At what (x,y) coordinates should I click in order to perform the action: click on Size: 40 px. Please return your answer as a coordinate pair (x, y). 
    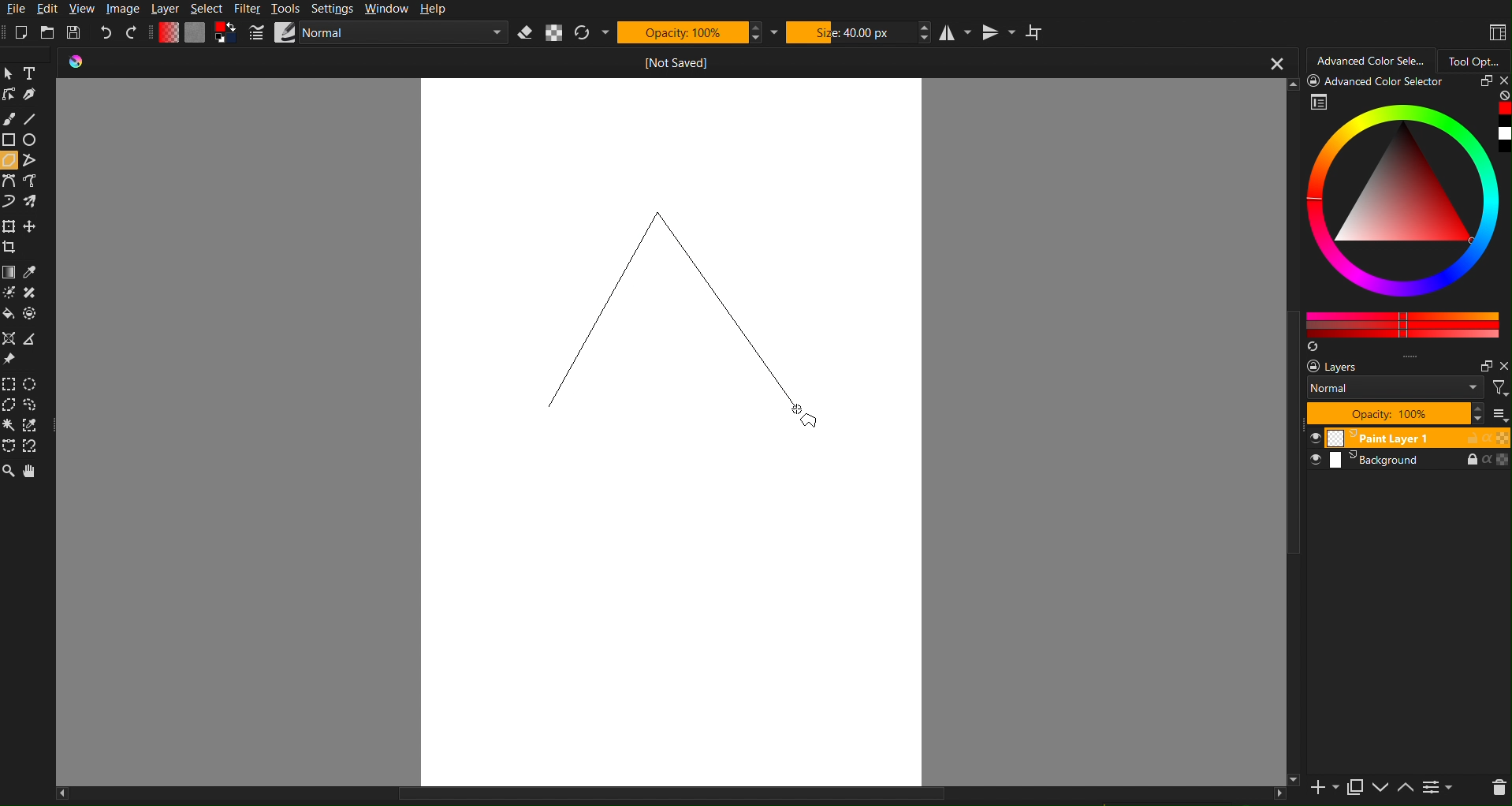
    Looking at the image, I should click on (850, 32).